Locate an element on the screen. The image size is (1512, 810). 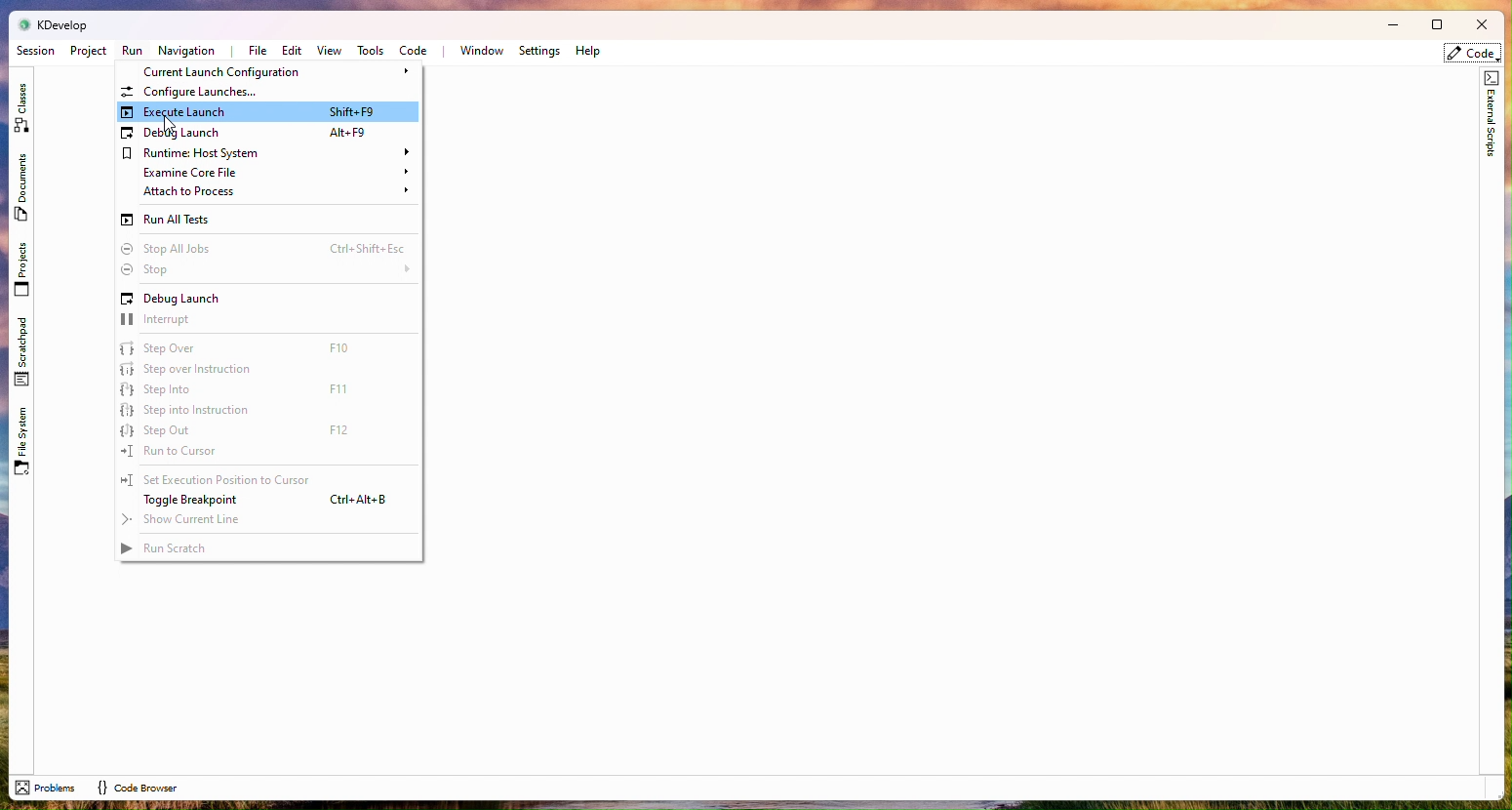
Edit is located at coordinates (291, 50).